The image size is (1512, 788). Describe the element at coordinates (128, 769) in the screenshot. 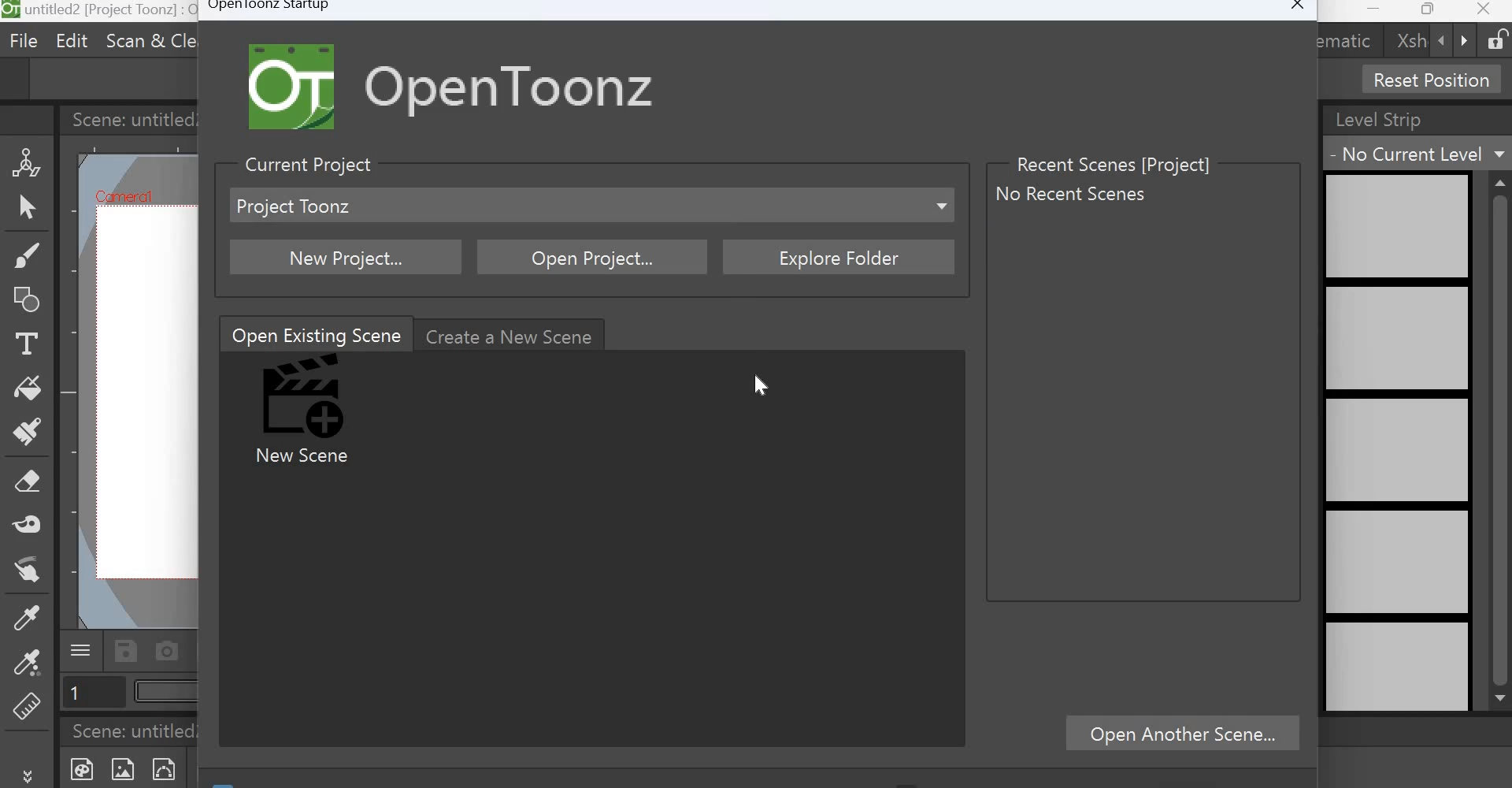

I see `New Raster Level` at that location.